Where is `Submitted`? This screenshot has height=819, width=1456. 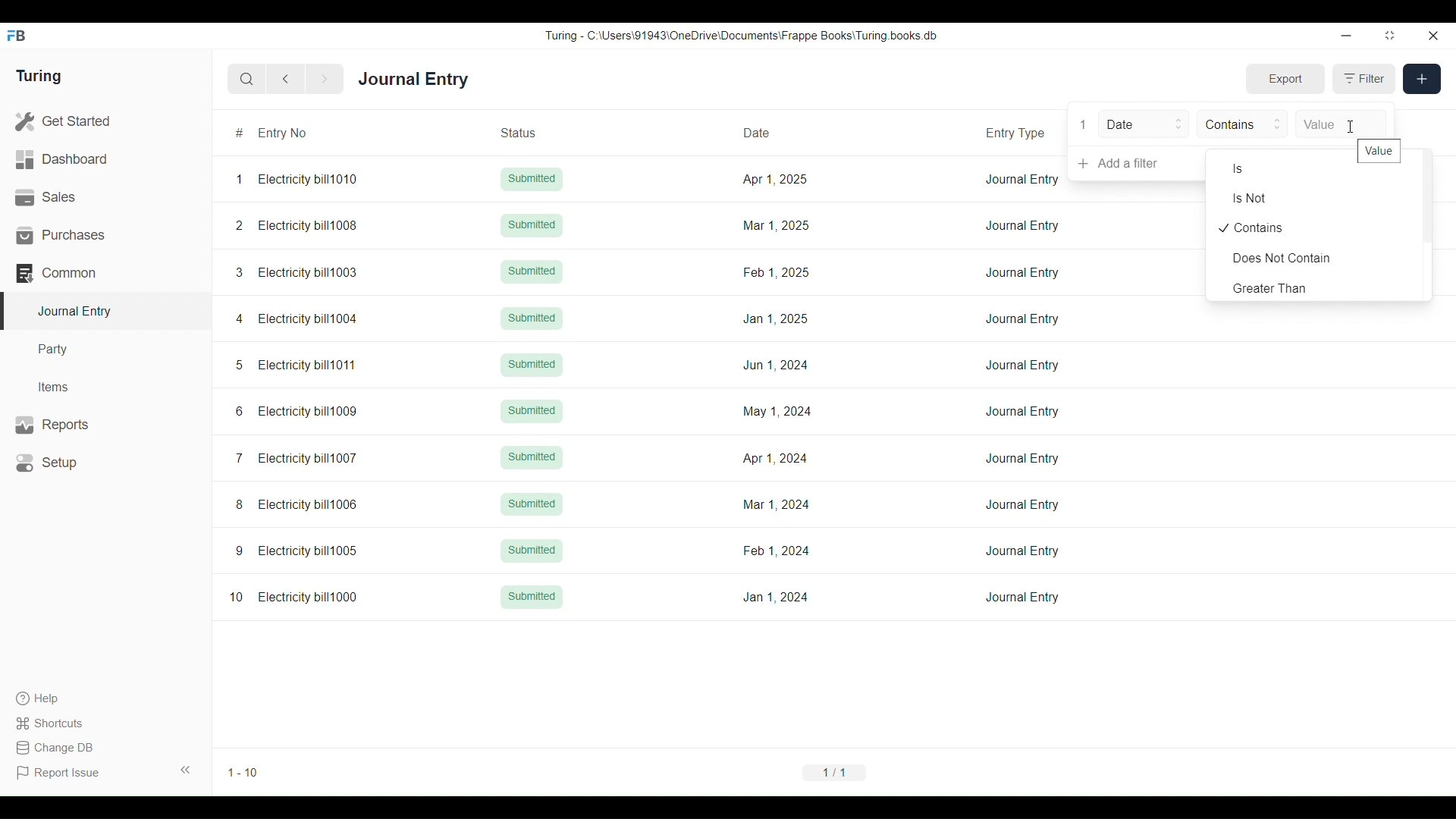
Submitted is located at coordinates (532, 225).